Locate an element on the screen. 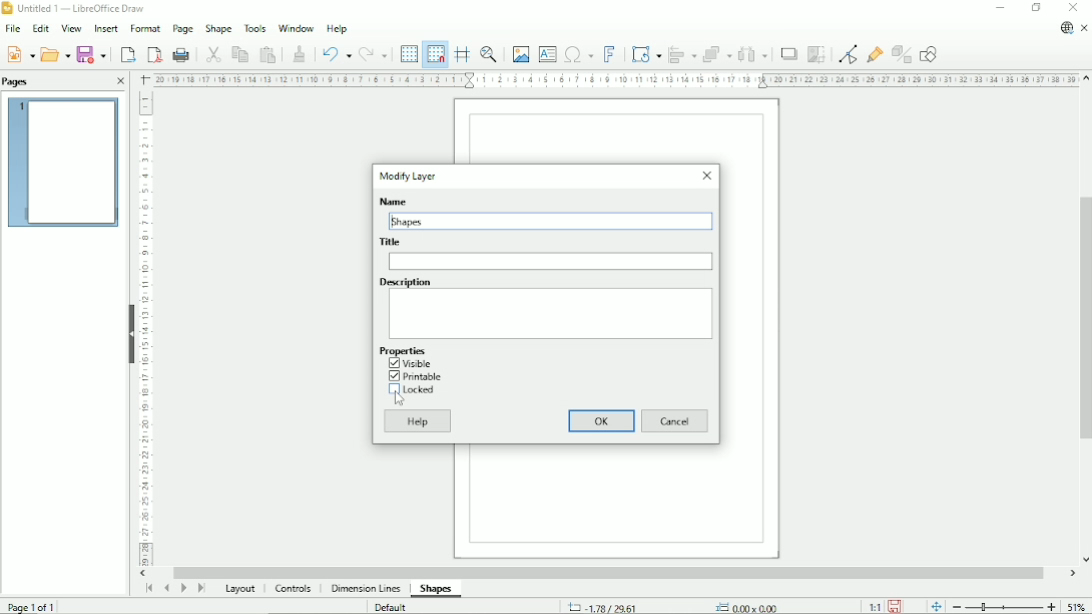 The image size is (1092, 614). Horizontal scroll button is located at coordinates (143, 574).